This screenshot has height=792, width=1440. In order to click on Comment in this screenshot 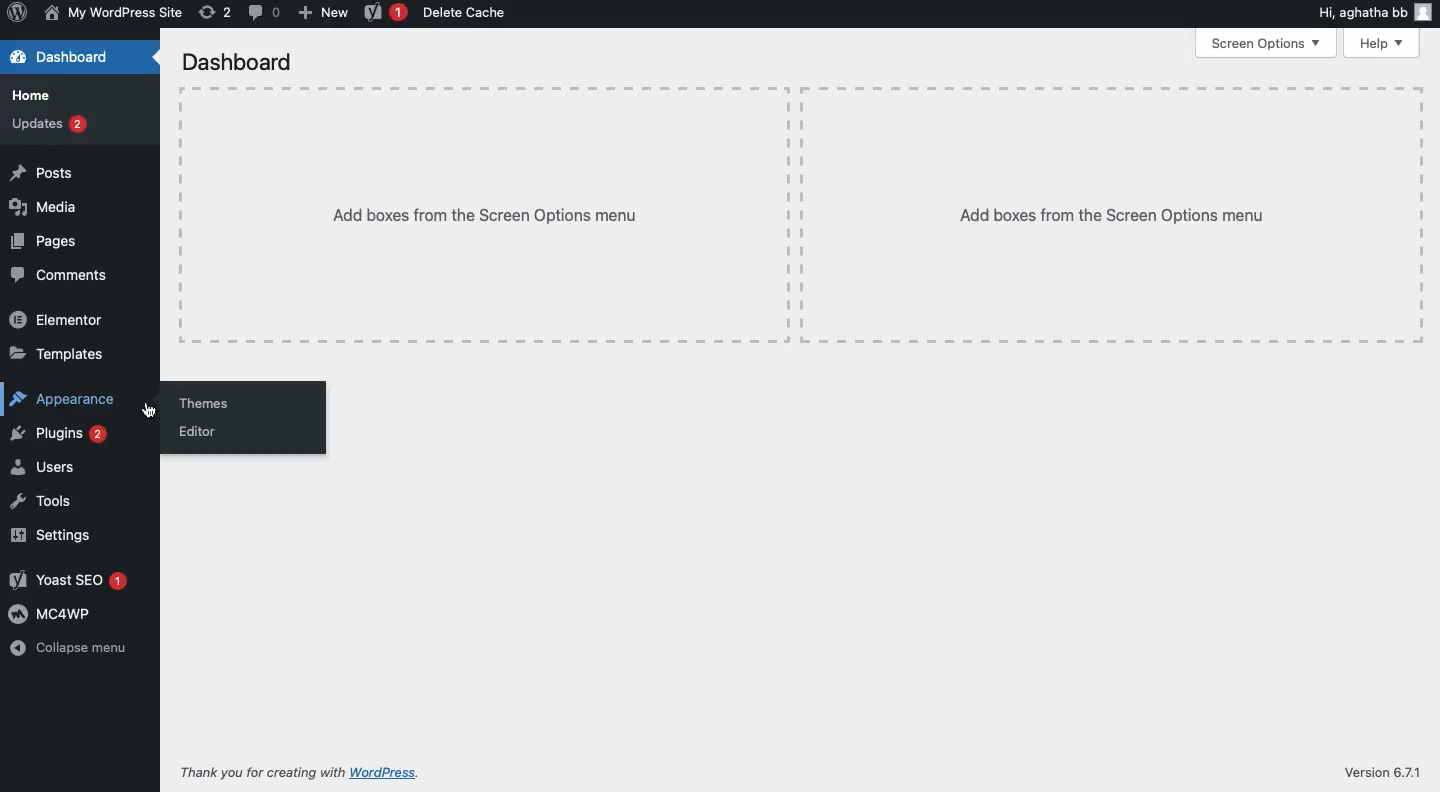, I will do `click(265, 12)`.